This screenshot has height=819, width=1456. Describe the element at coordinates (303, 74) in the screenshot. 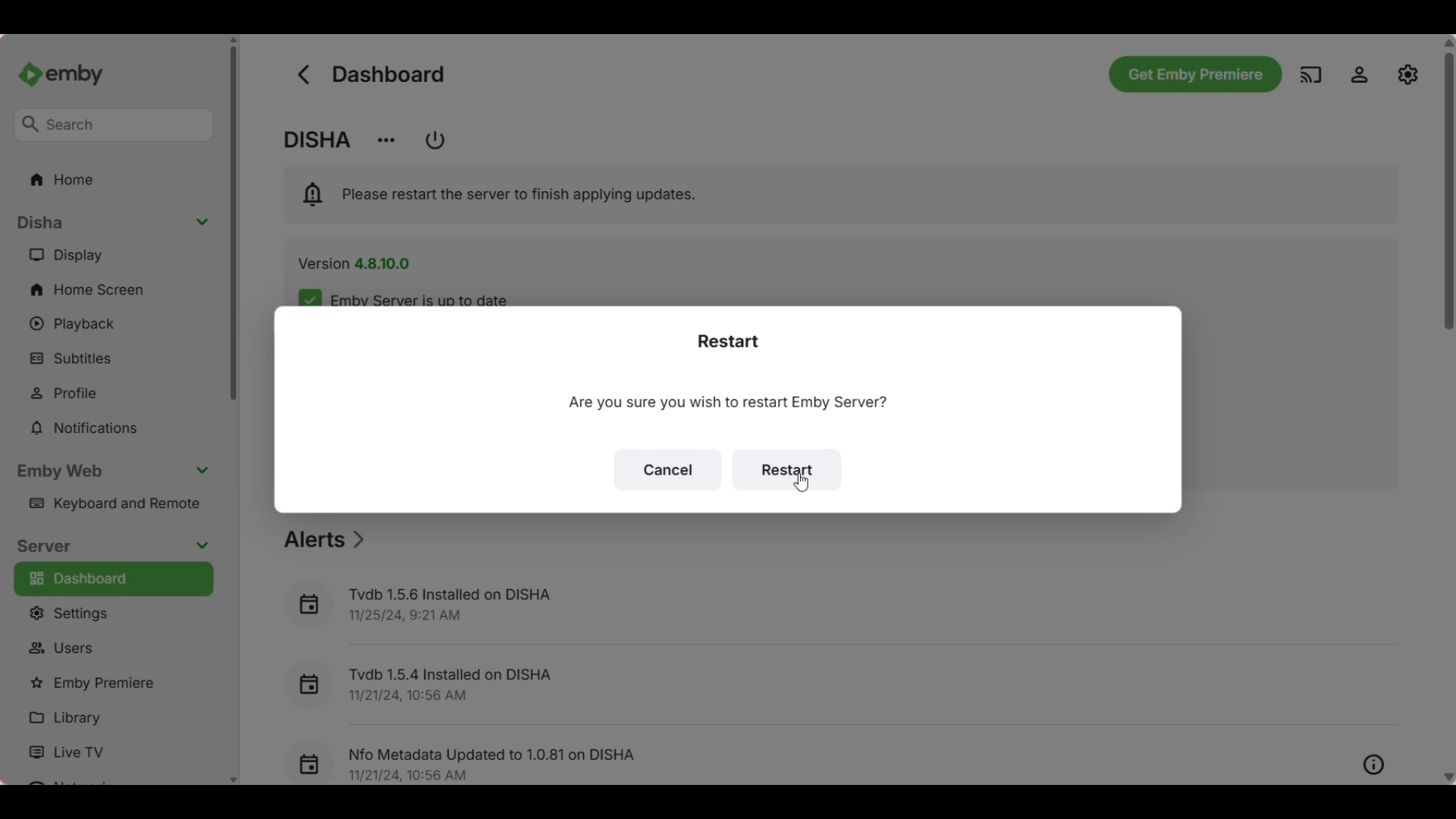

I see `Go back` at that location.